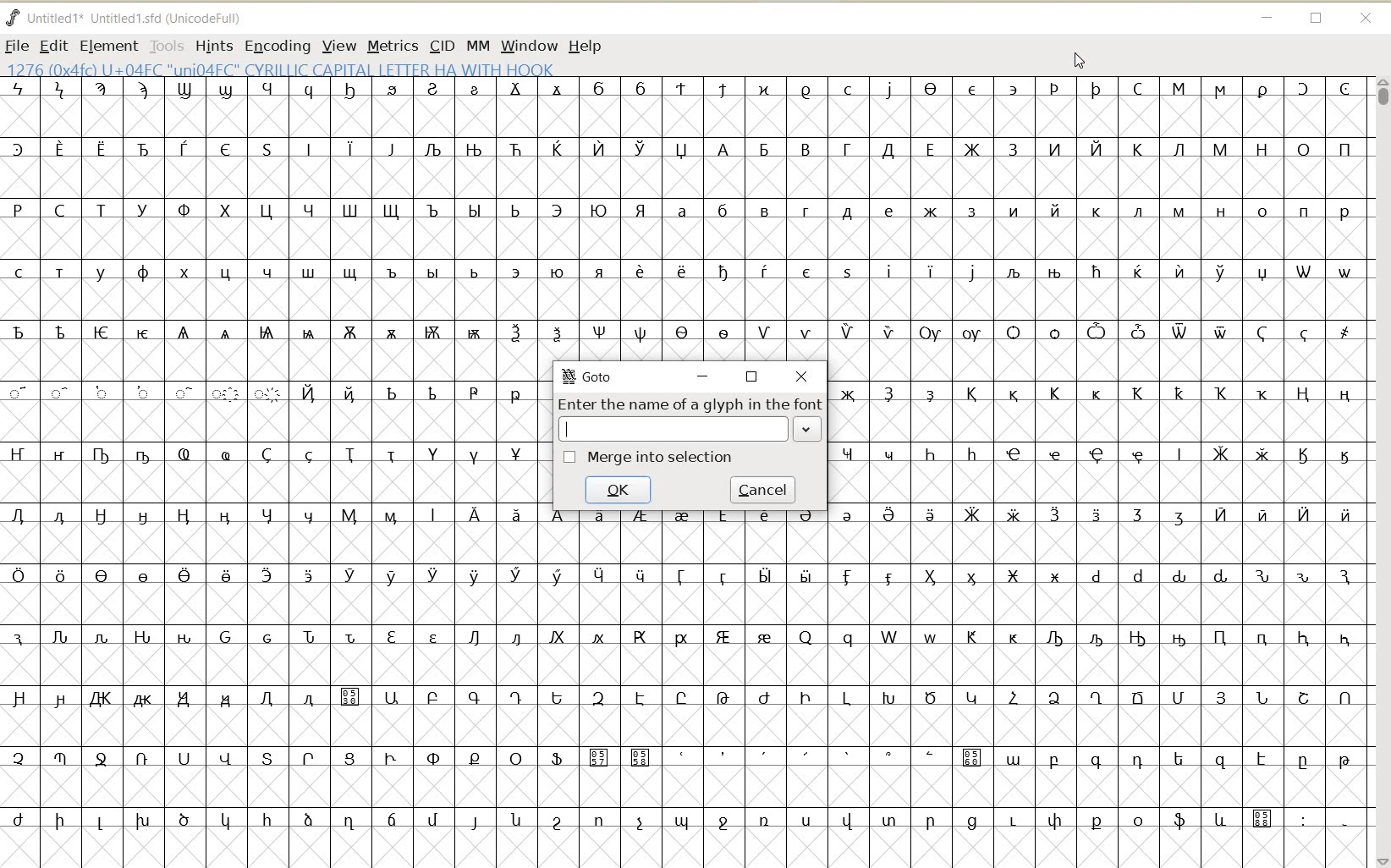  Describe the element at coordinates (650, 459) in the screenshot. I see `merge into selection` at that location.